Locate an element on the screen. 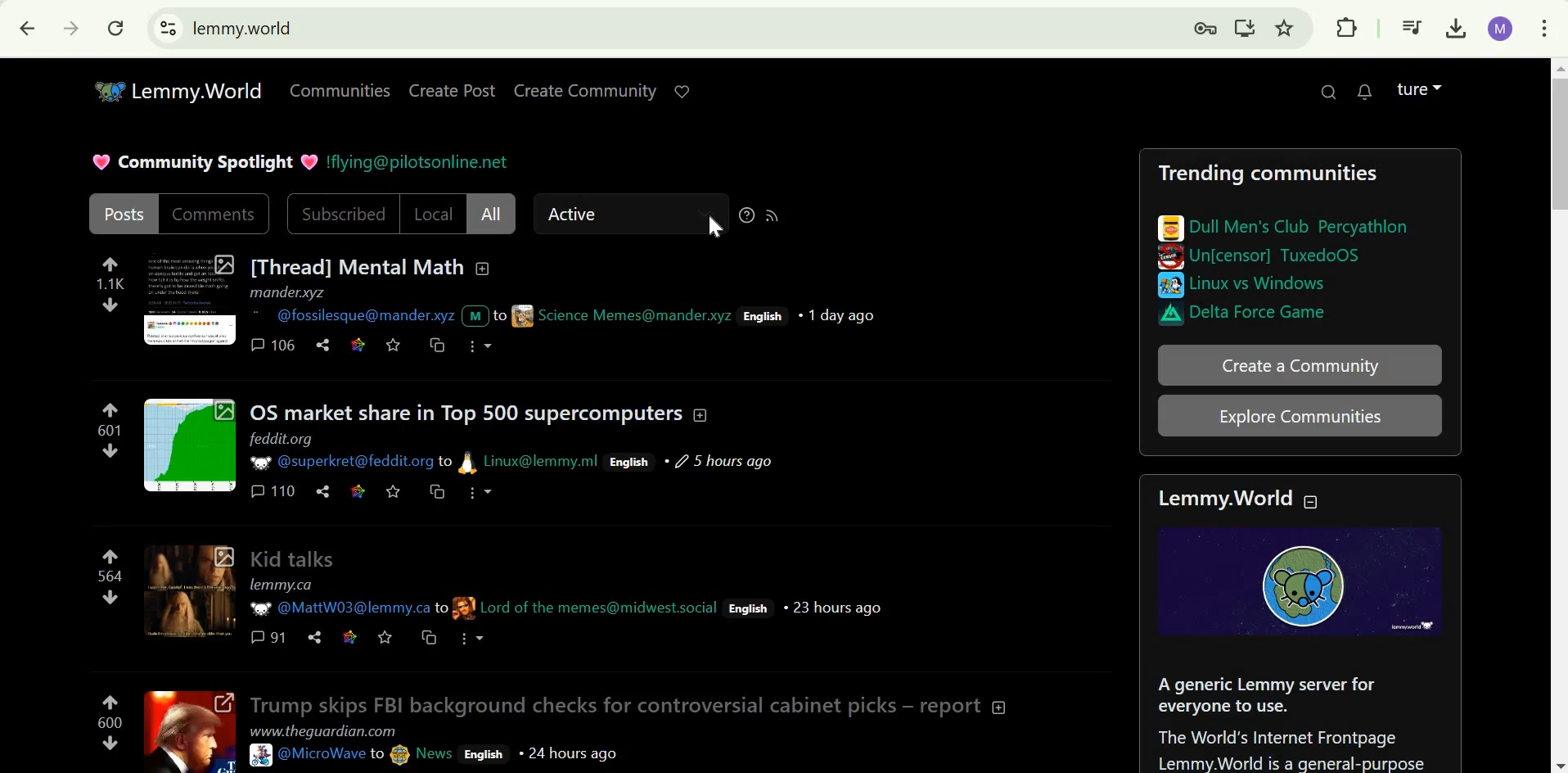 This screenshot has height=773, width=1568. Un[censor] TuxedoOS is located at coordinates (1273, 255).